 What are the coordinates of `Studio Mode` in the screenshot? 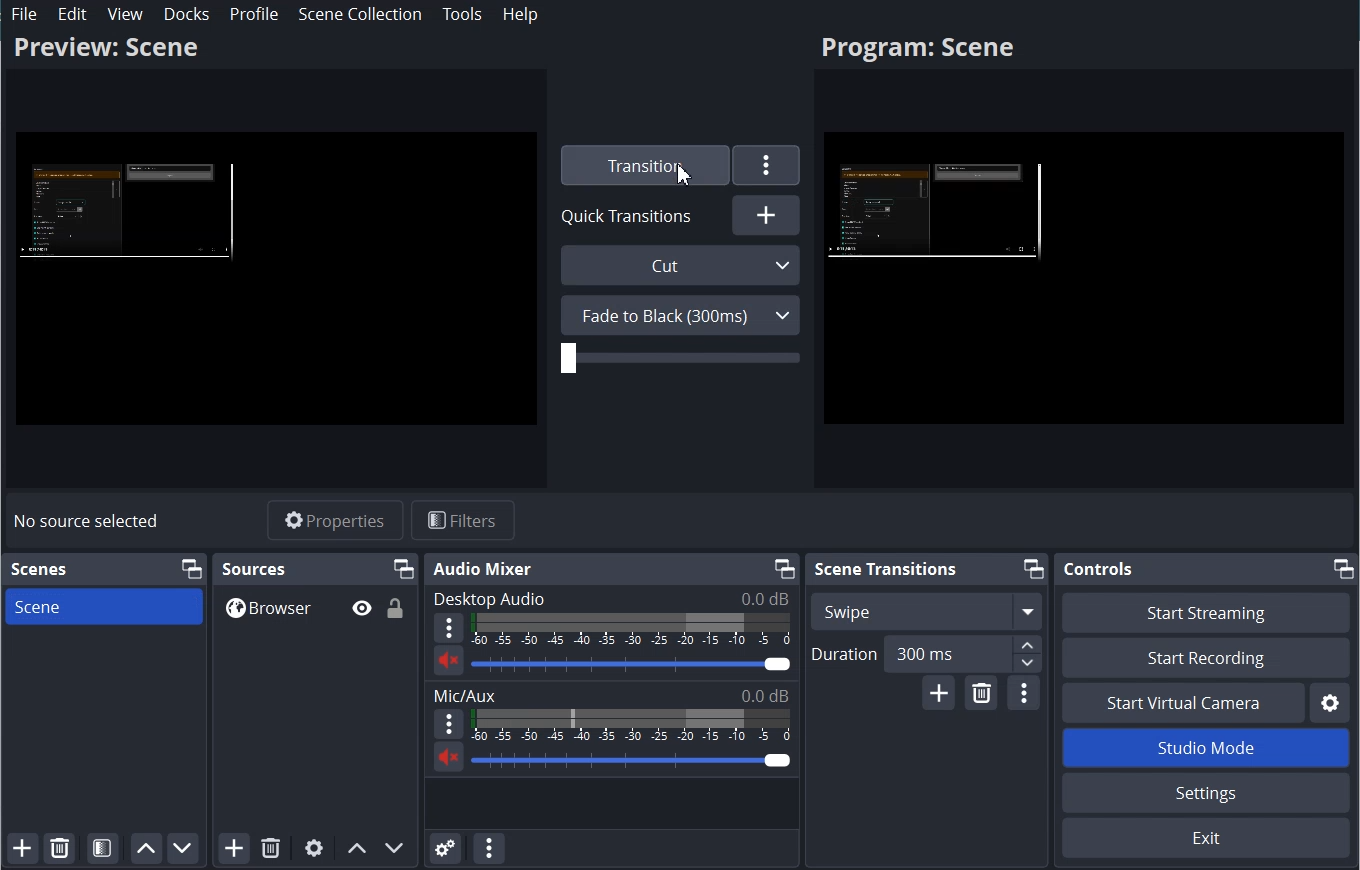 It's located at (1205, 747).